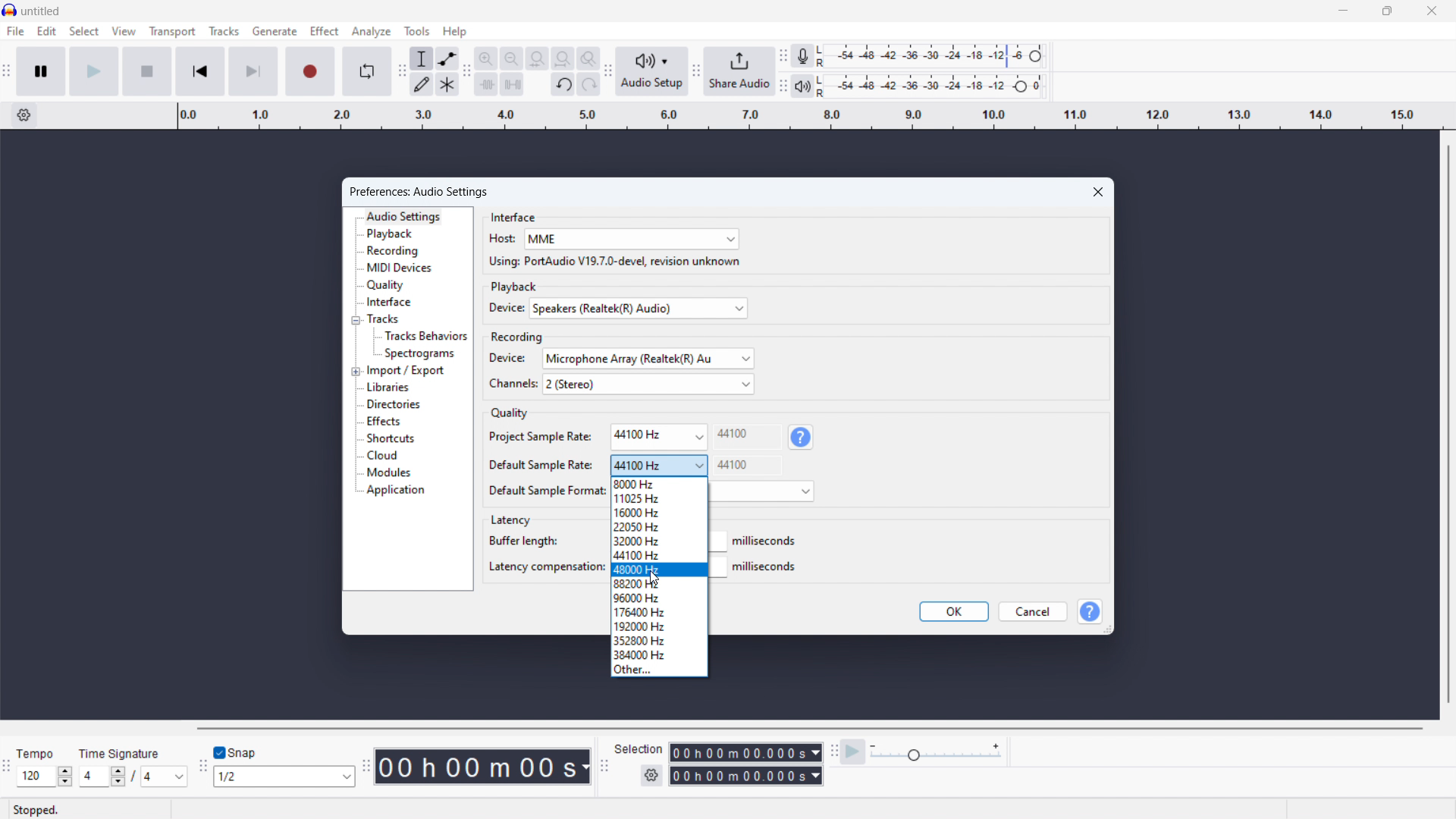 The height and width of the screenshot is (819, 1456). Describe the element at coordinates (311, 72) in the screenshot. I see `record` at that location.